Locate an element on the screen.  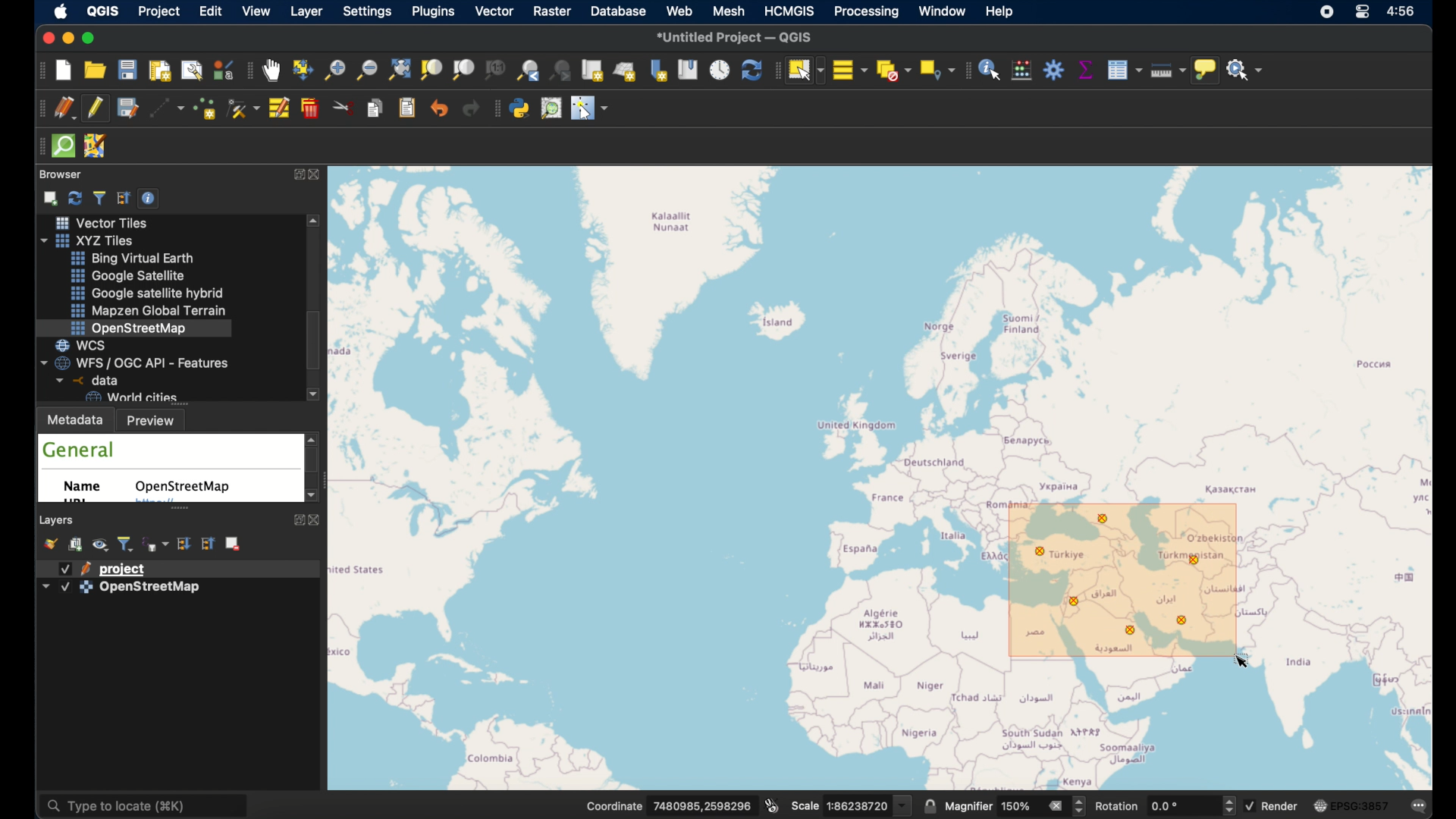
drag handle is located at coordinates (775, 70).